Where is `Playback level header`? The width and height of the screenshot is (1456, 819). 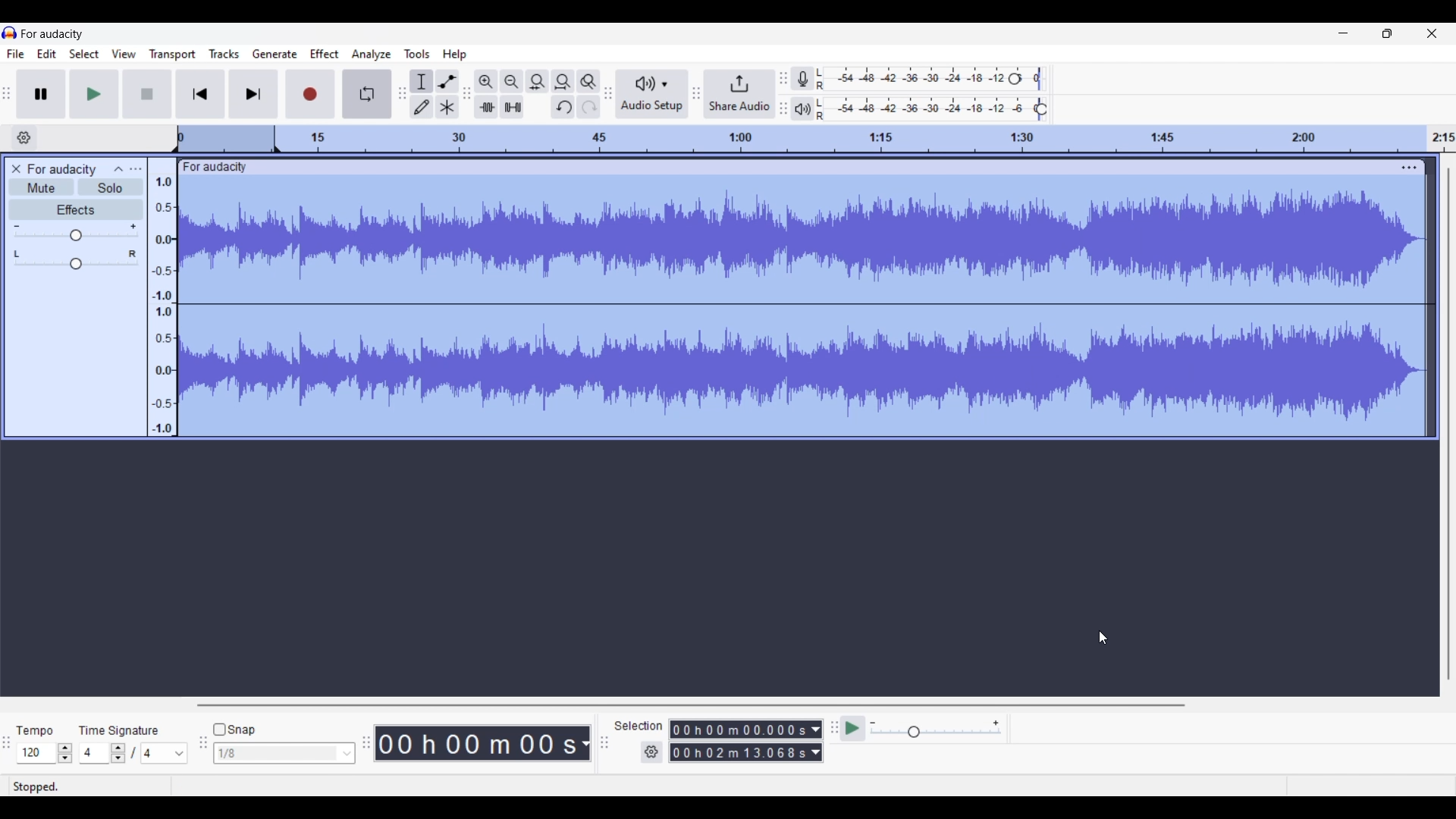 Playback level header is located at coordinates (1042, 109).